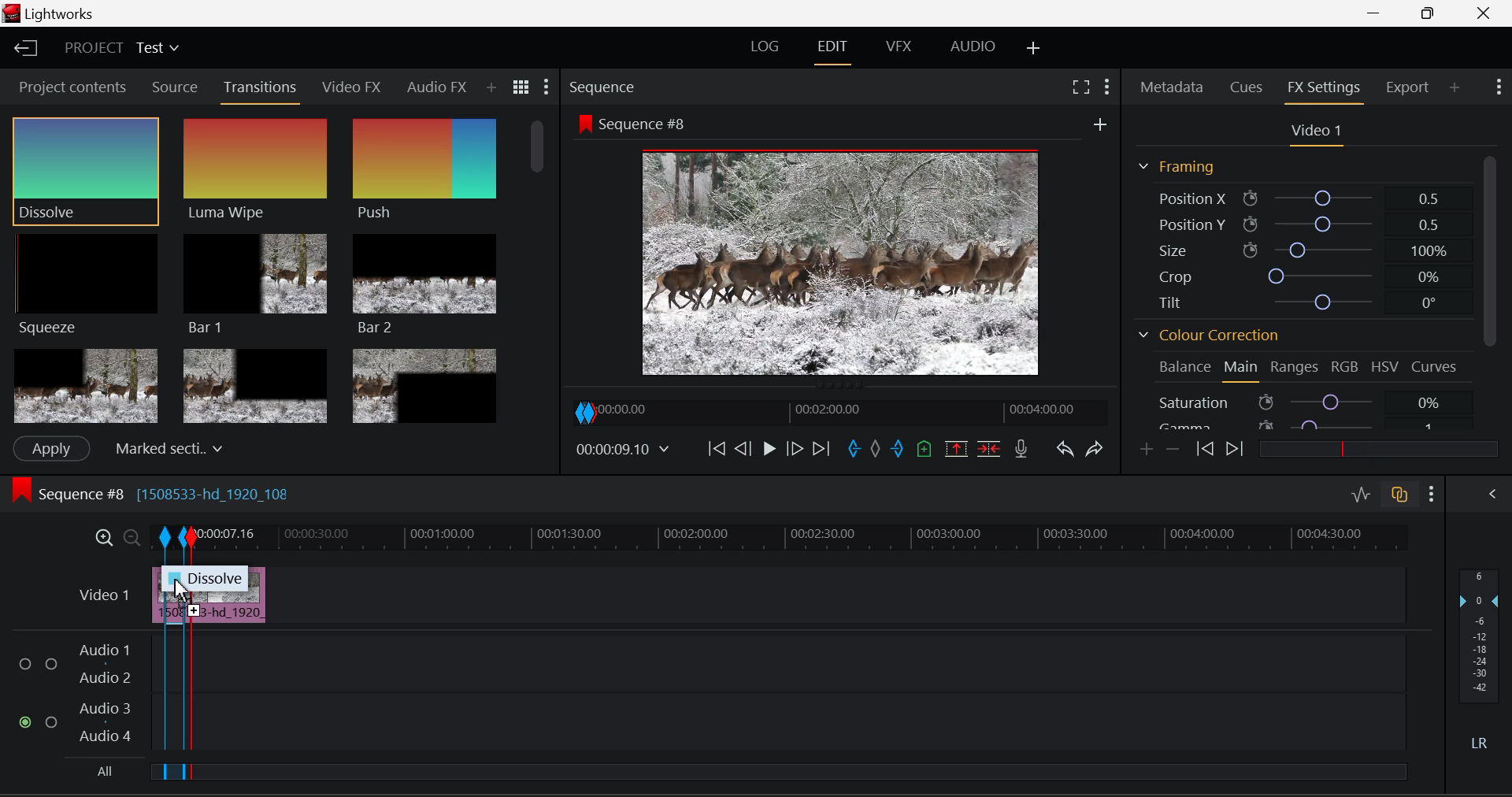 This screenshot has height=797, width=1512. What do you see at coordinates (802, 536) in the screenshot?
I see `Project Timeline` at bounding box center [802, 536].